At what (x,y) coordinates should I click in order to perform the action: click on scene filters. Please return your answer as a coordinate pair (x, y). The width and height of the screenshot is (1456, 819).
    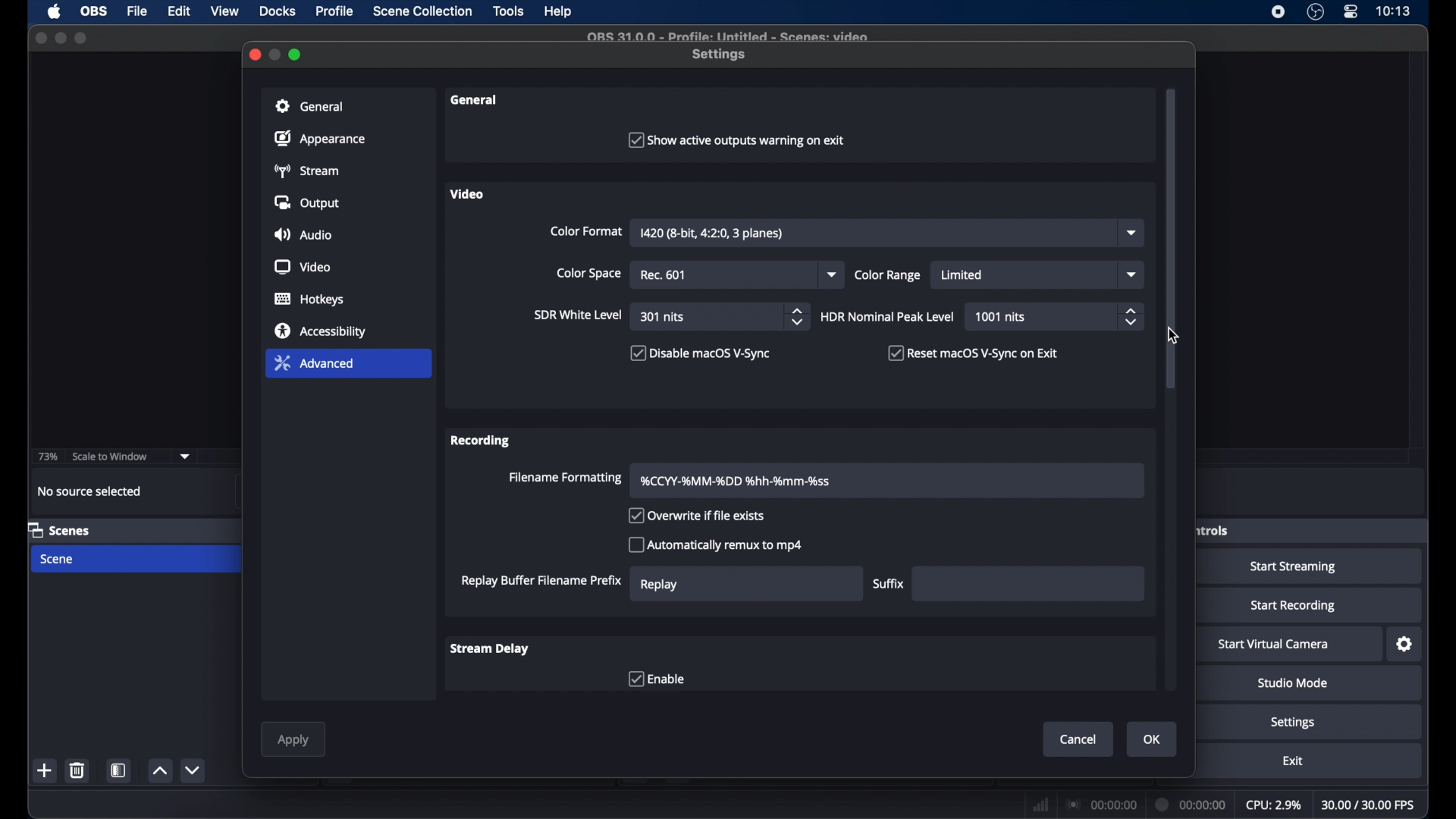
    Looking at the image, I should click on (120, 770).